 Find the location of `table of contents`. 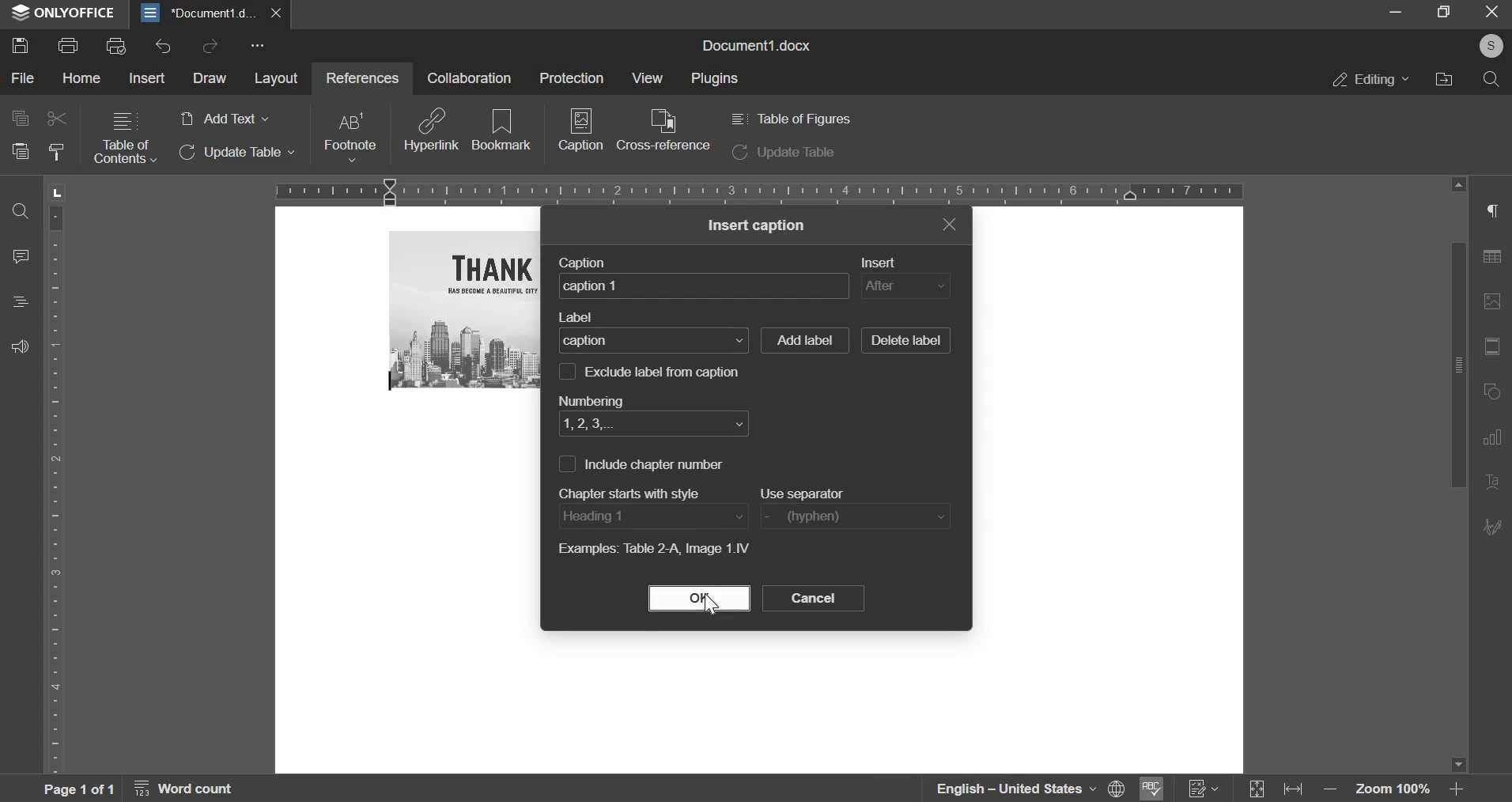

table of contents is located at coordinates (125, 138).